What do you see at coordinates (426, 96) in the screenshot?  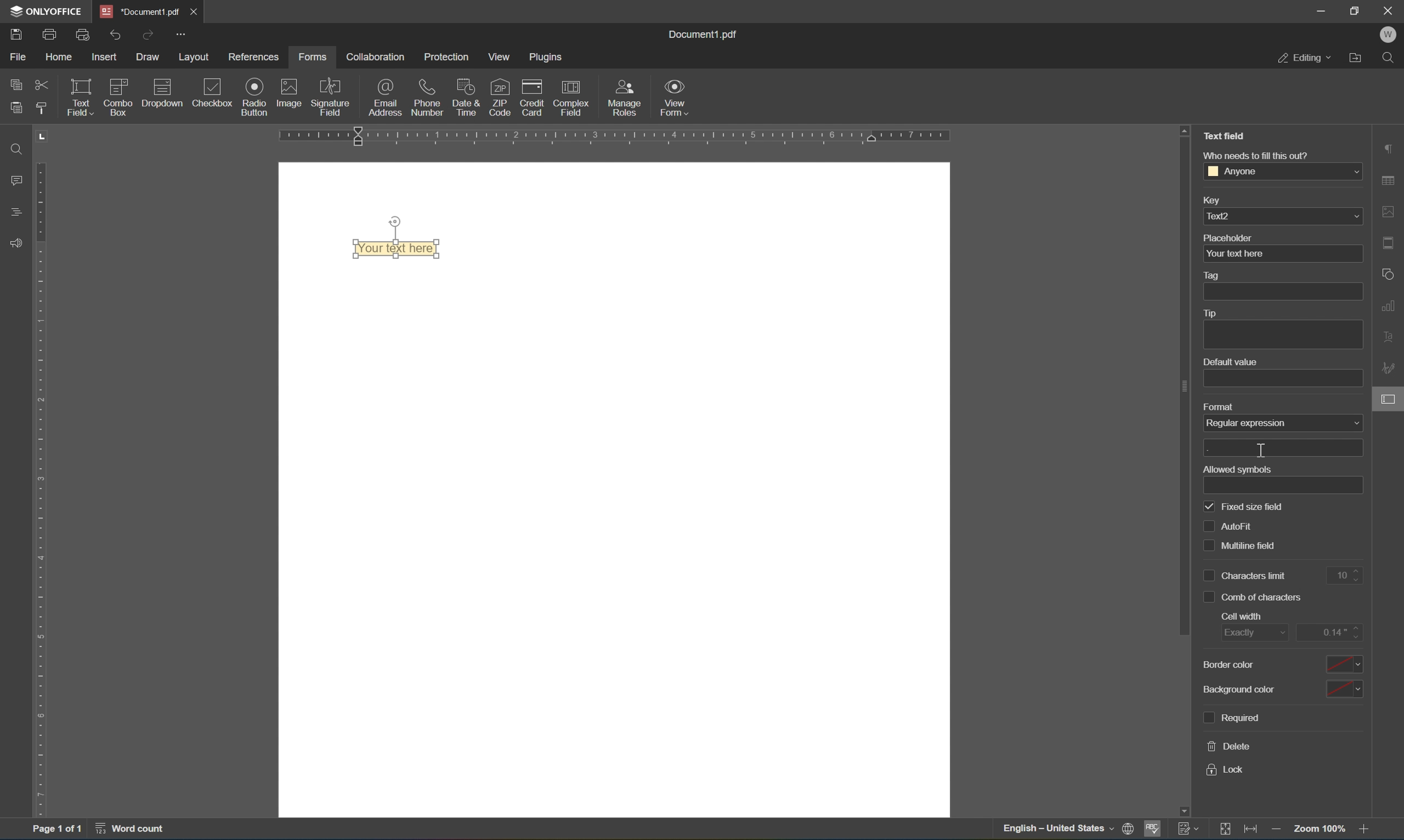 I see `phone number` at bounding box center [426, 96].